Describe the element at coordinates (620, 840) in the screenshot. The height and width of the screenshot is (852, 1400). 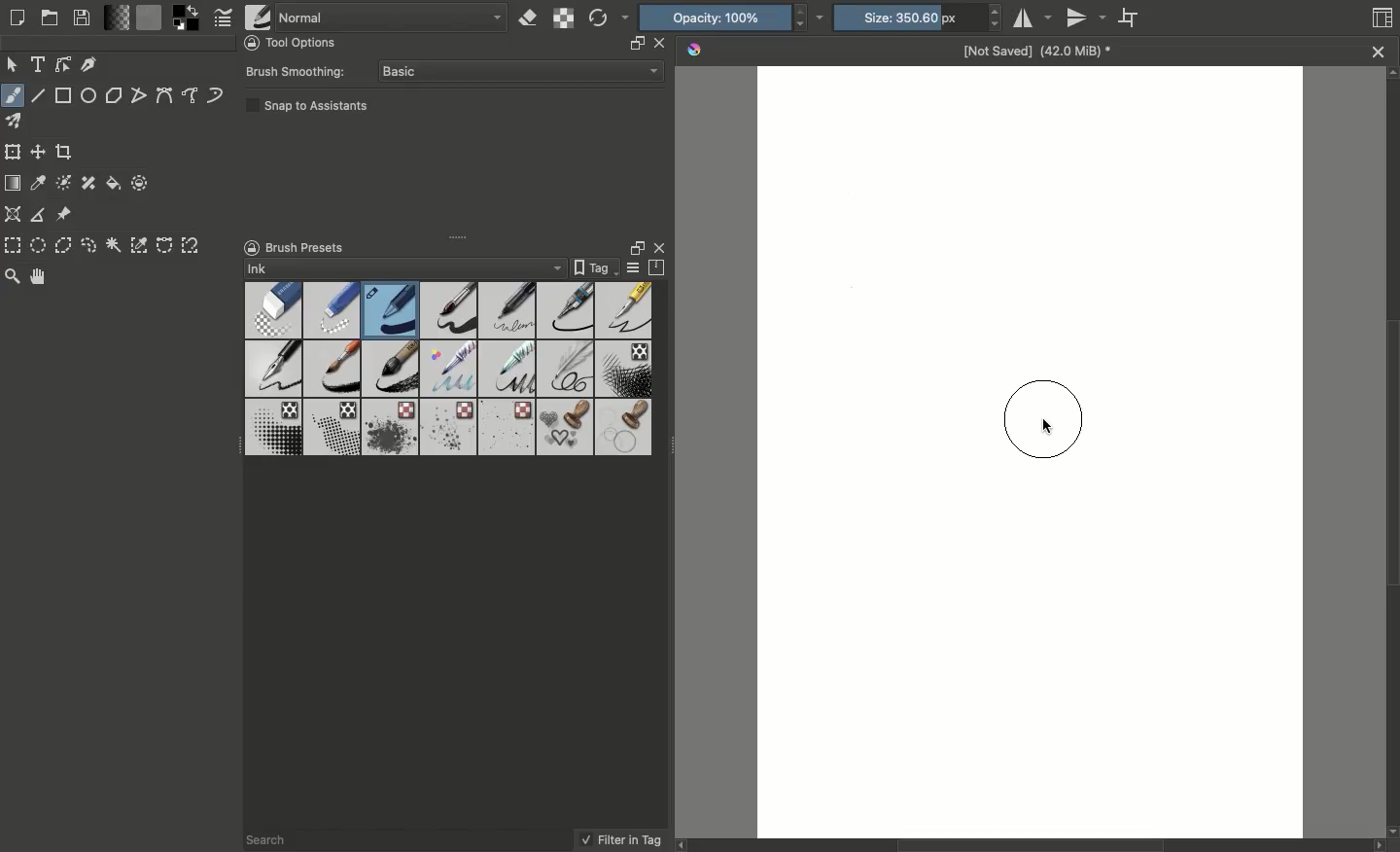
I see `Filter in tag` at that location.